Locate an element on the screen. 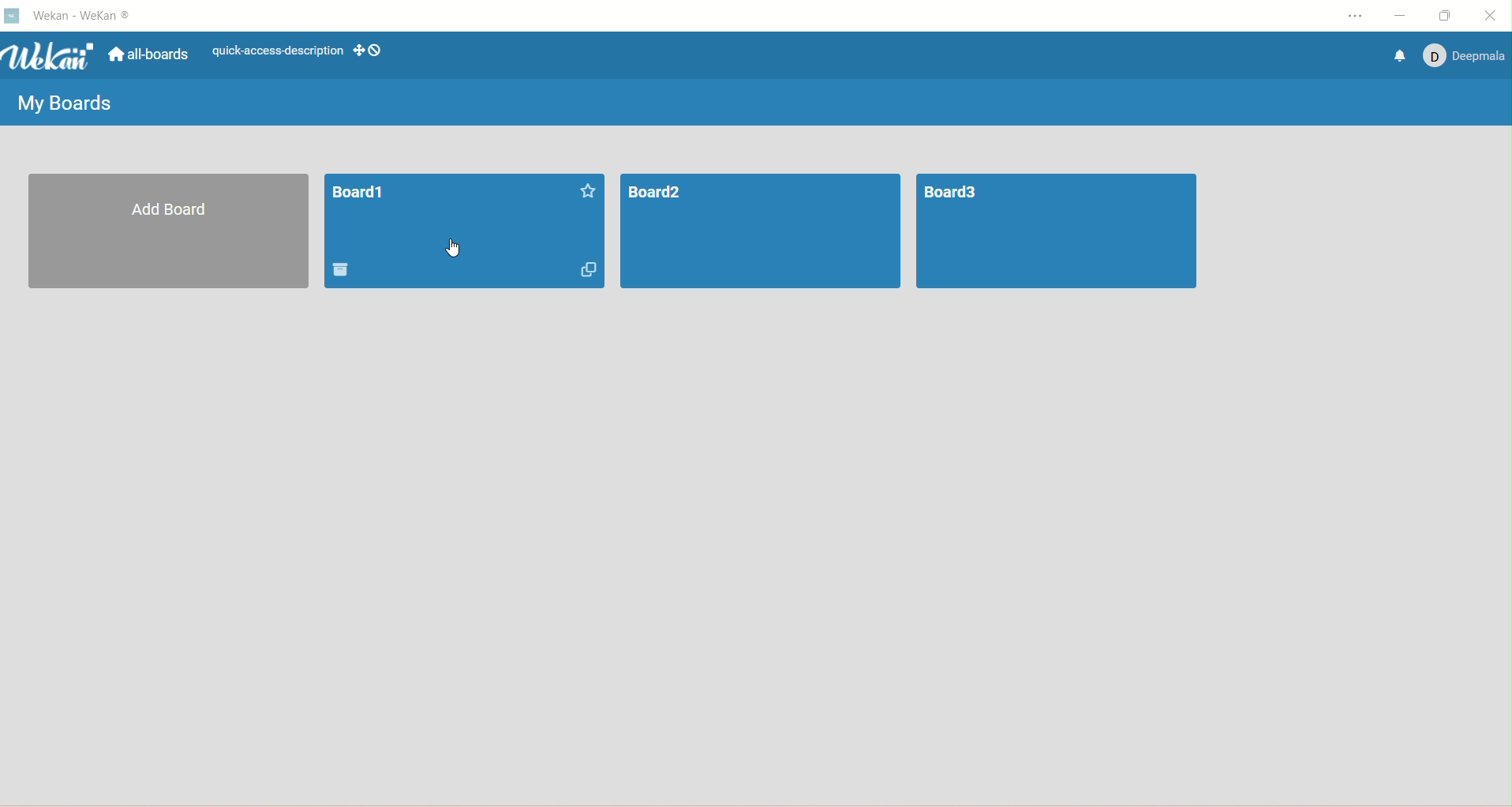 Image resolution: width=1512 pixels, height=807 pixels. duplicate board is located at coordinates (589, 269).